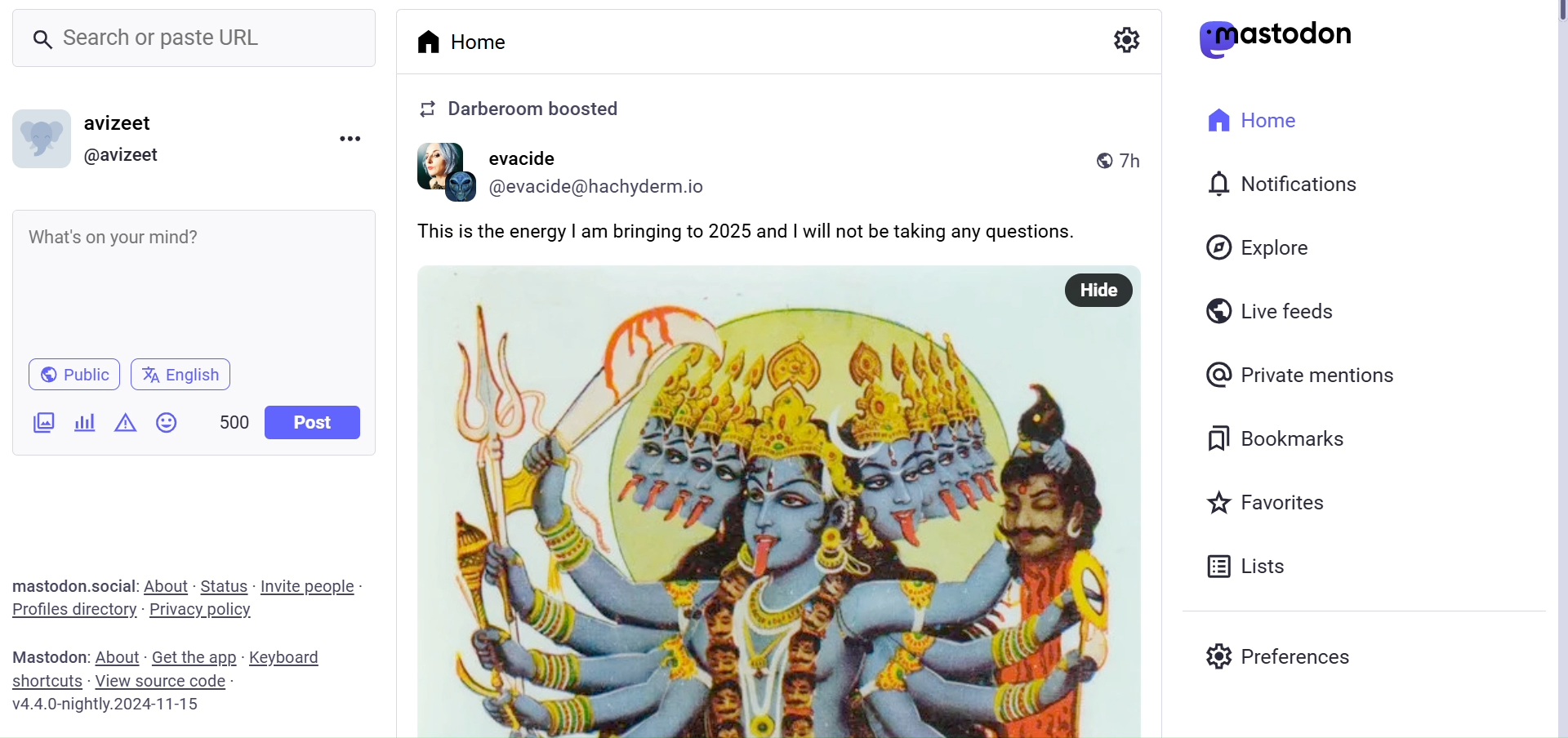 Image resolution: width=1568 pixels, height=738 pixels. What do you see at coordinates (1280, 309) in the screenshot?
I see `Live Feeds` at bounding box center [1280, 309].